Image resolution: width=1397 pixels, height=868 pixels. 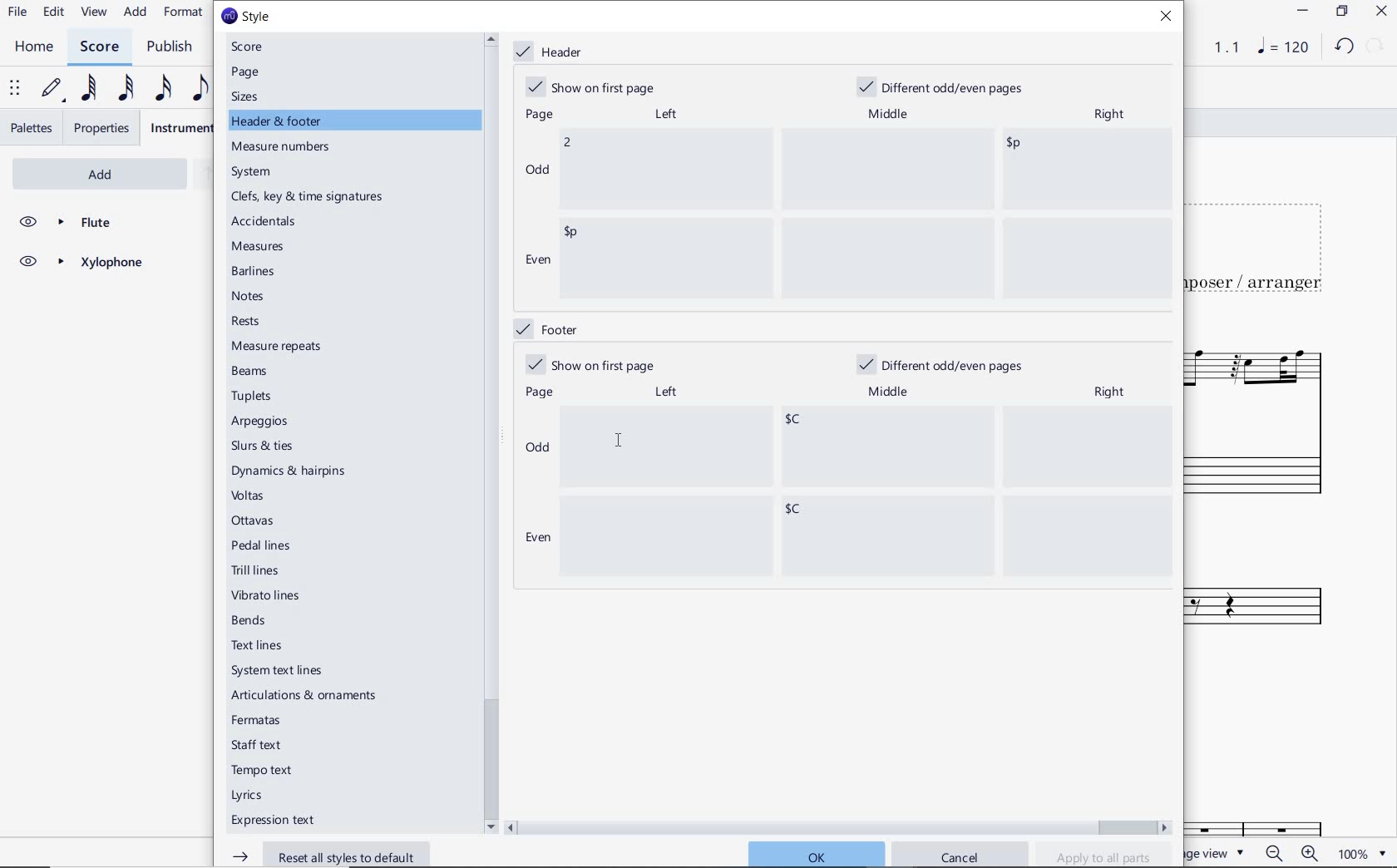 I want to click on page, so click(x=536, y=116).